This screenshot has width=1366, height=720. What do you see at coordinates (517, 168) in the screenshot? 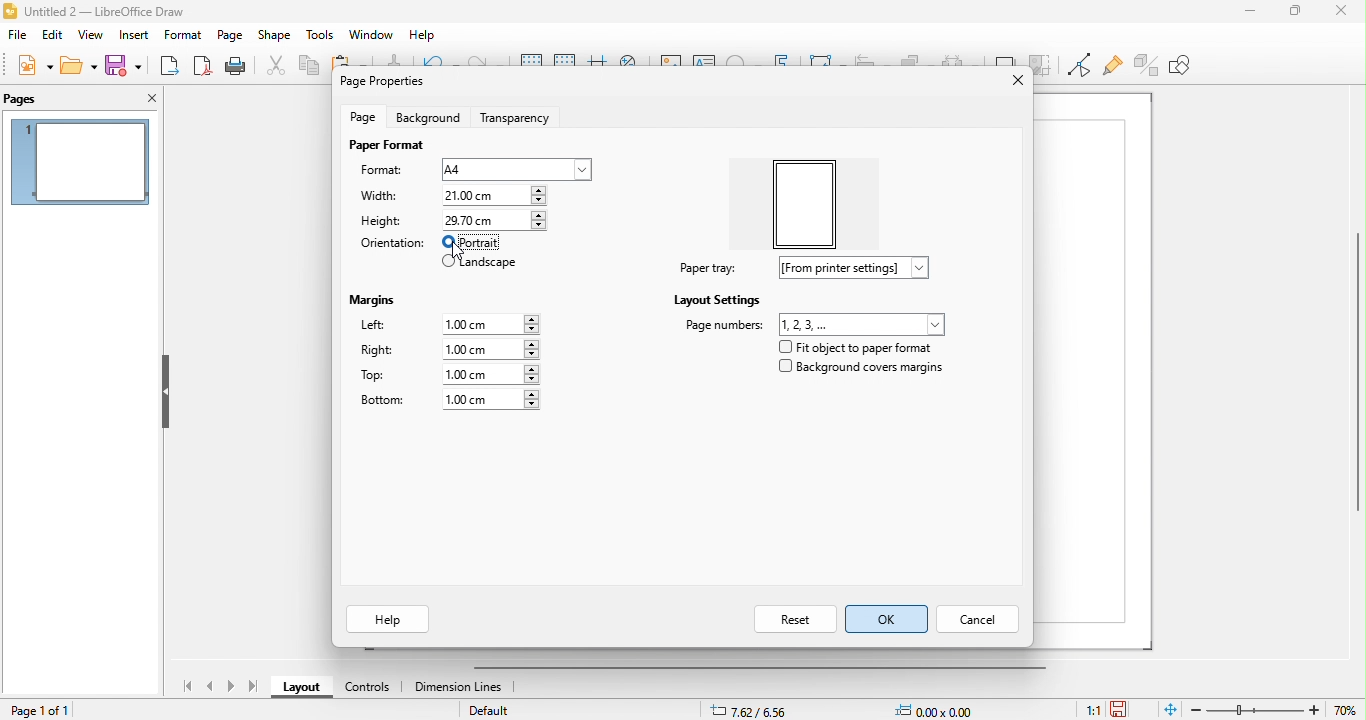
I see `A4` at bounding box center [517, 168].